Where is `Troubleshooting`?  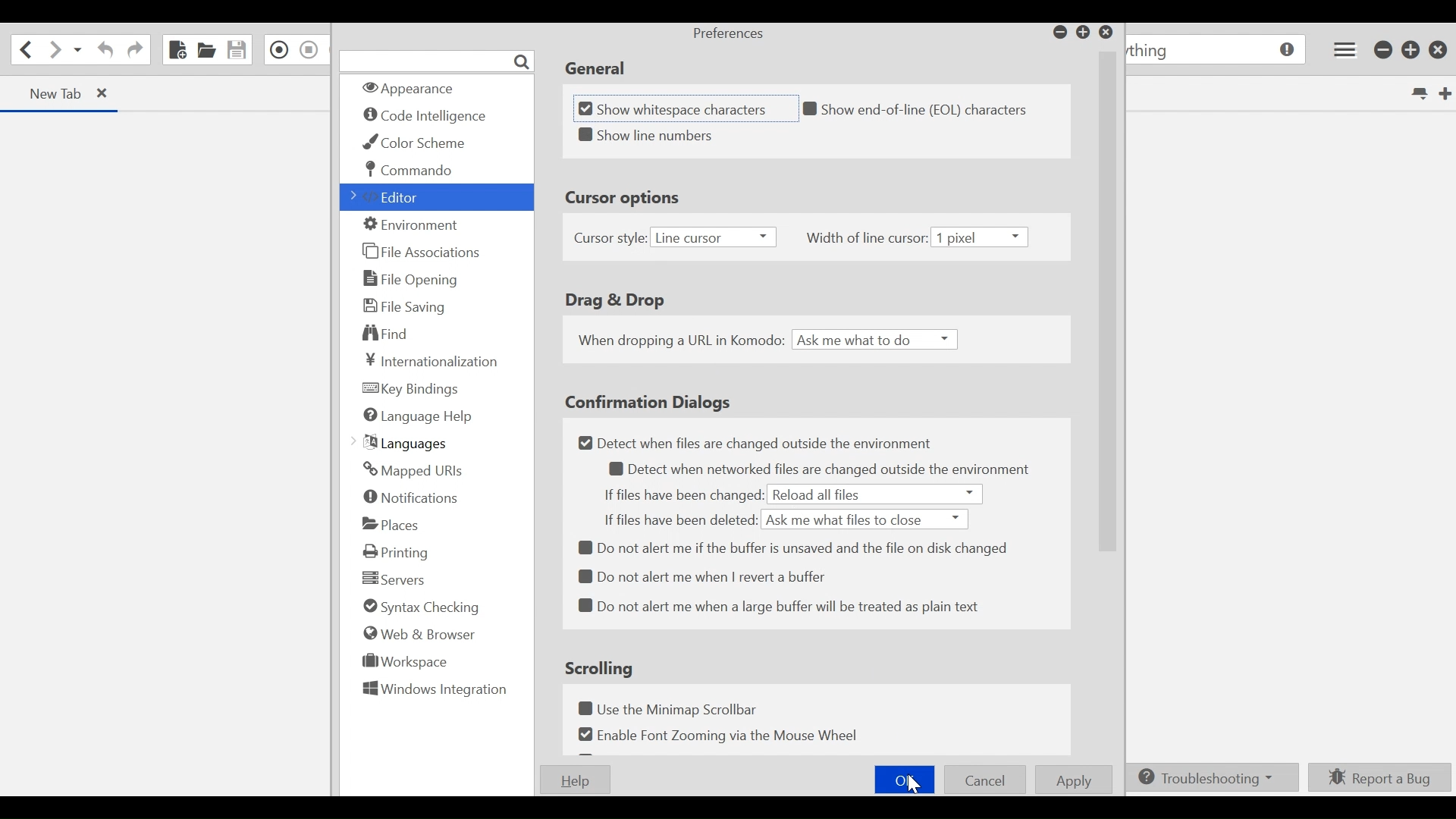
Troubleshooting is located at coordinates (1210, 779).